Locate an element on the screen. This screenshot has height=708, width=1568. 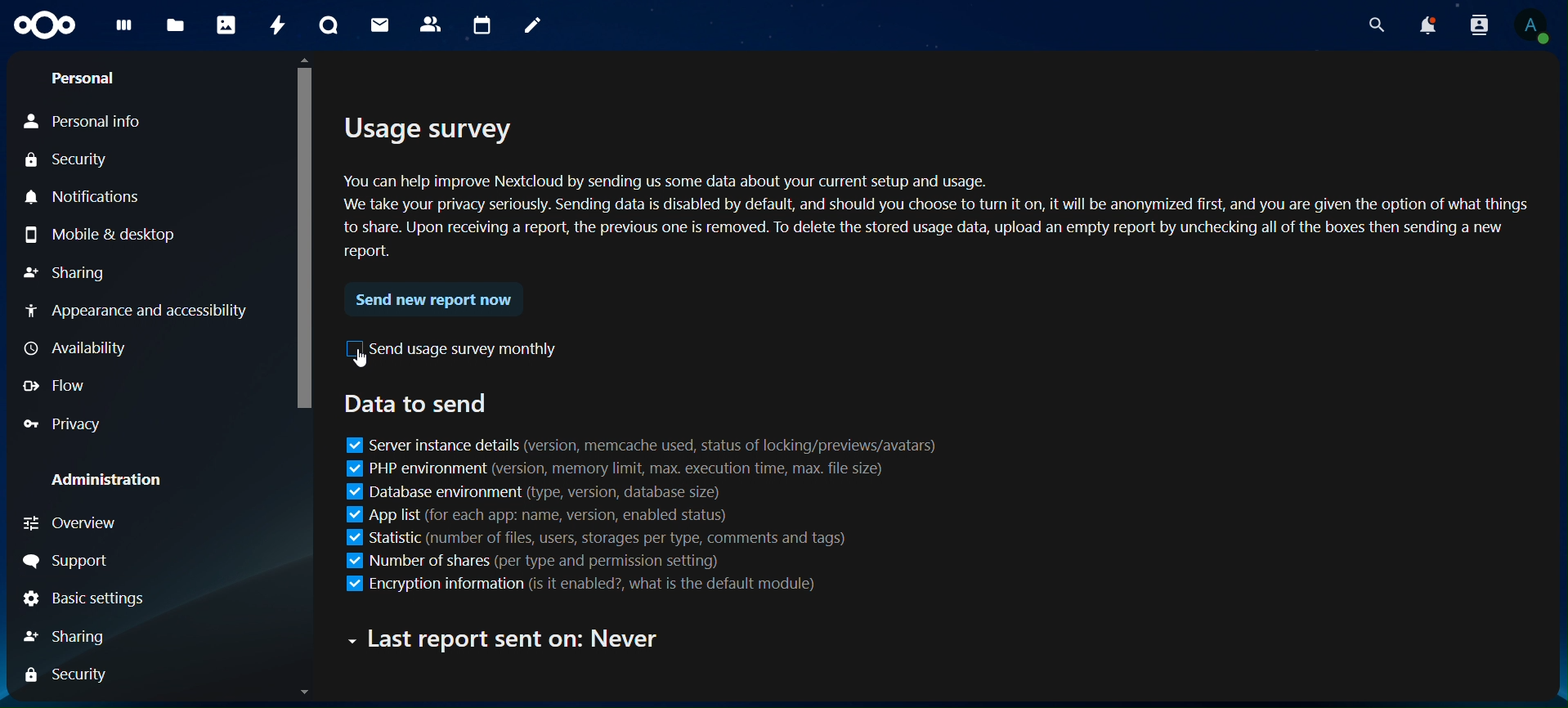
text is located at coordinates (512, 639).